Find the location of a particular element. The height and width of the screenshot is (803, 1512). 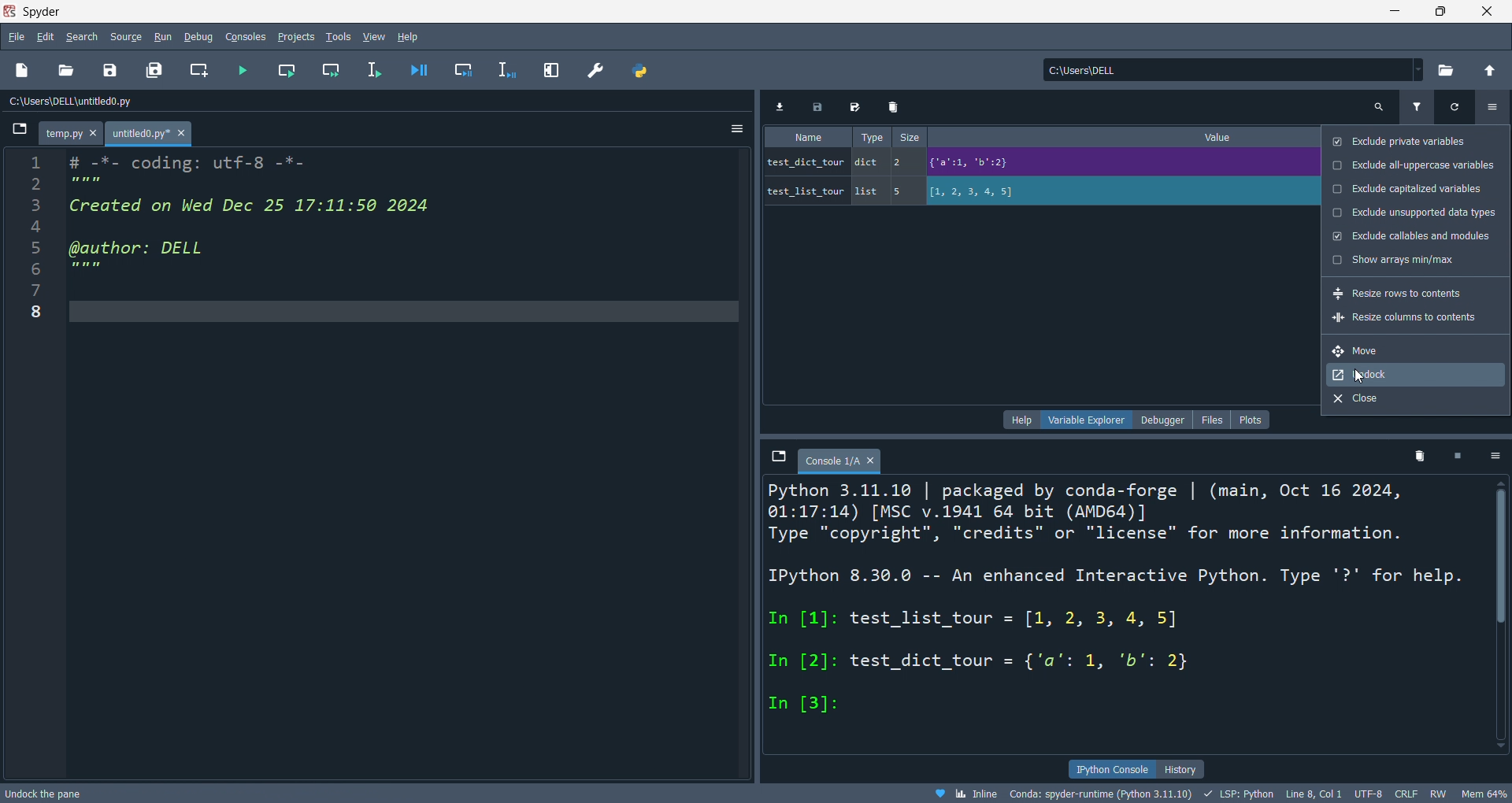

tools is located at coordinates (338, 37).